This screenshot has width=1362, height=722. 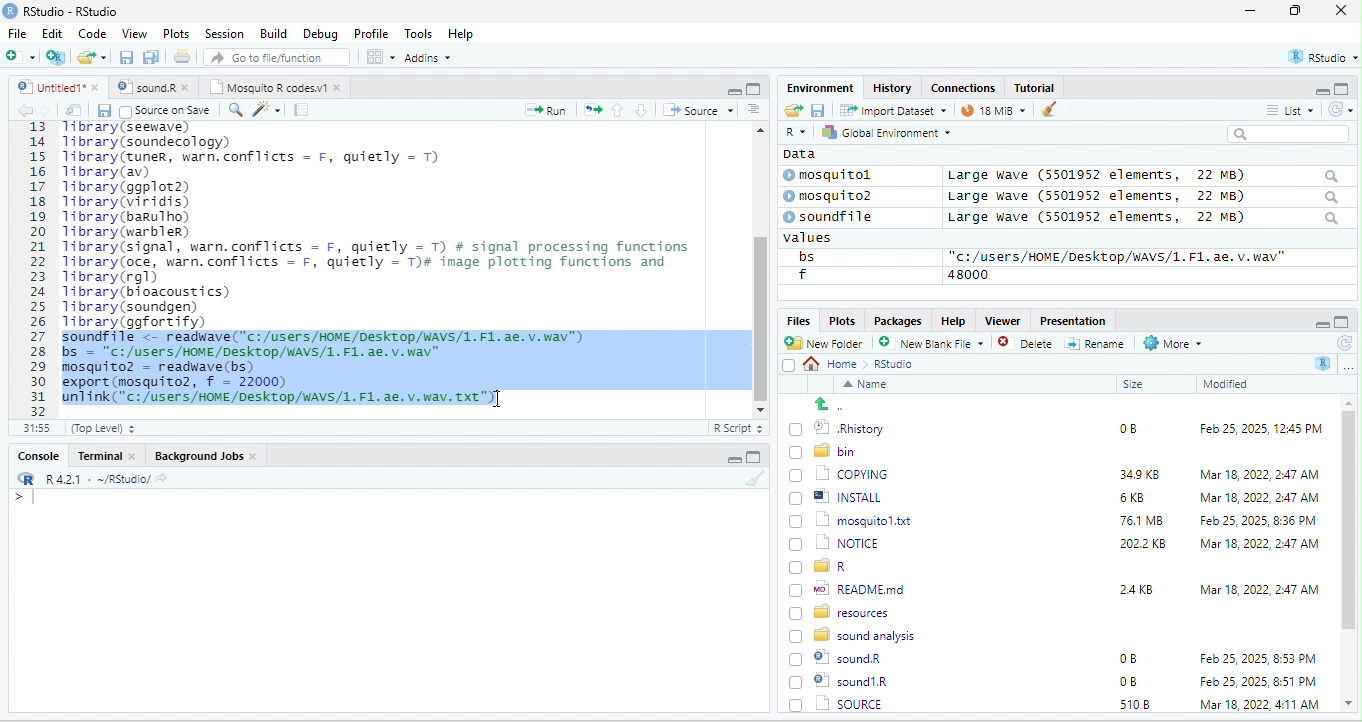 What do you see at coordinates (802, 275) in the screenshot?
I see `f` at bounding box center [802, 275].